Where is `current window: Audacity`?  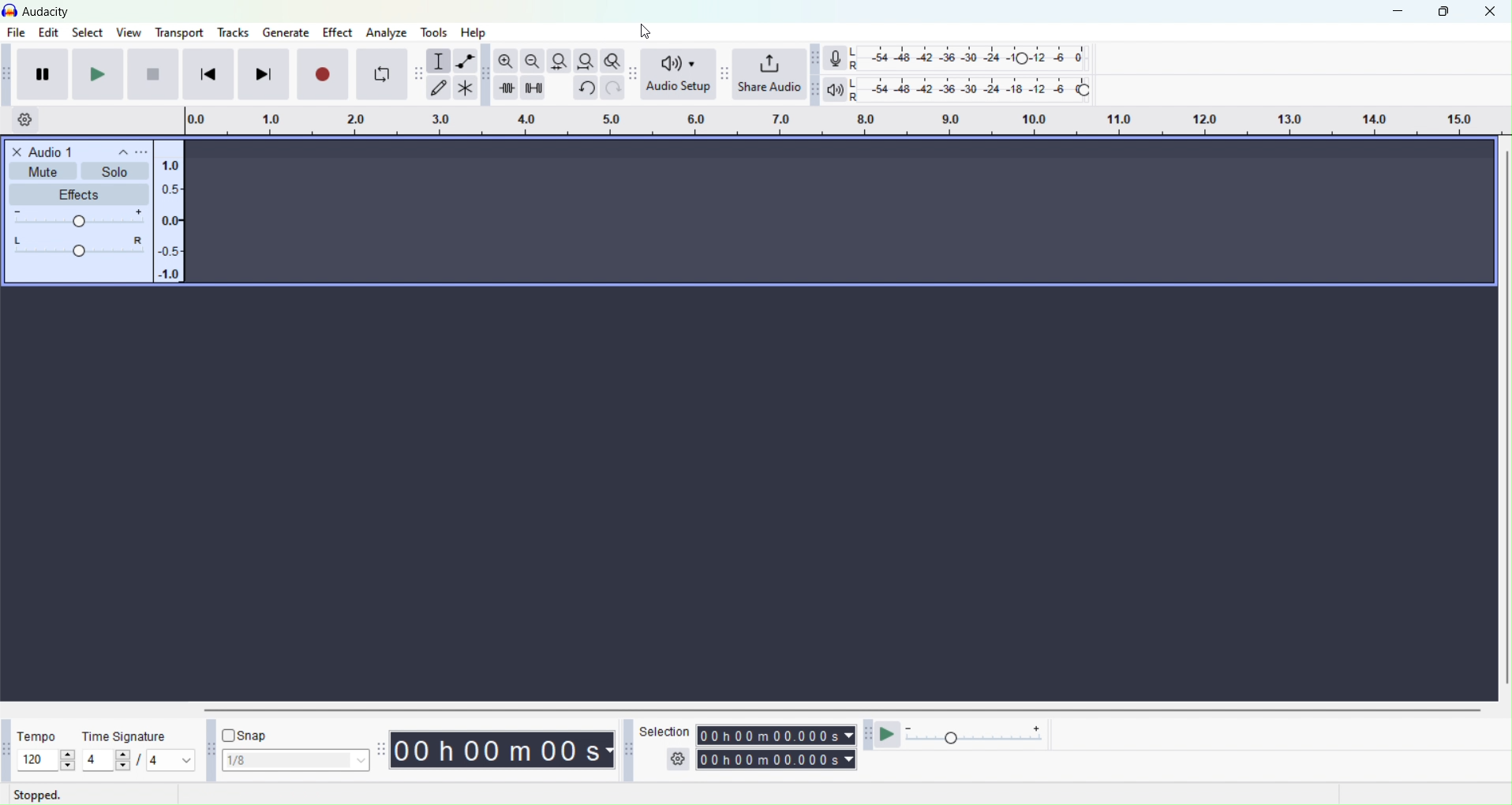 current window: Audacity is located at coordinates (48, 11).